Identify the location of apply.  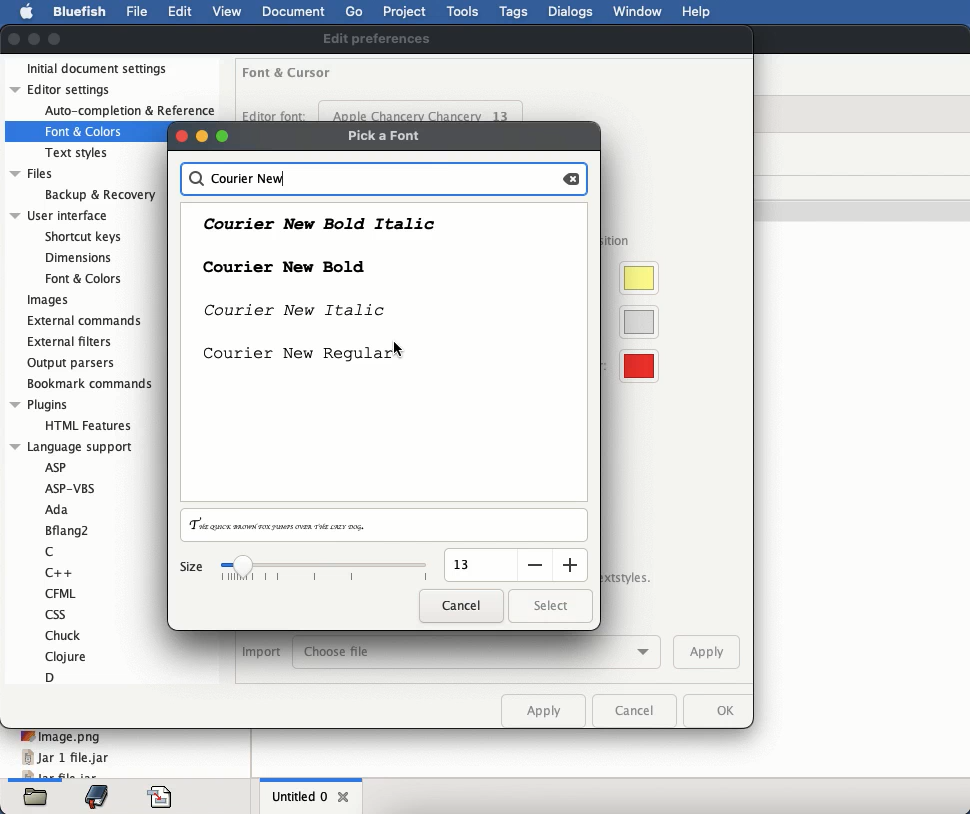
(543, 707).